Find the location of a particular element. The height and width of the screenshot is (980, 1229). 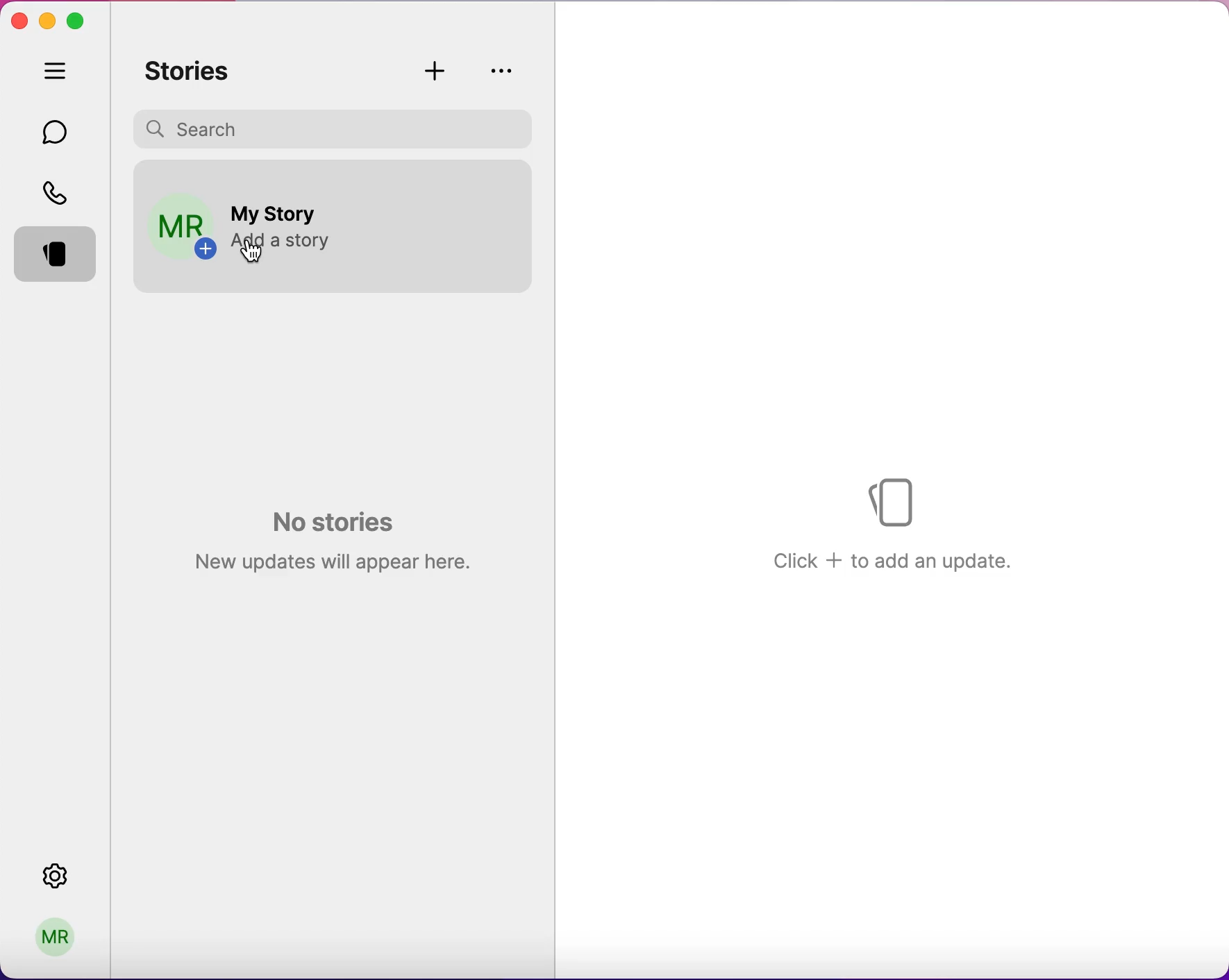

52m is located at coordinates (496, 184).